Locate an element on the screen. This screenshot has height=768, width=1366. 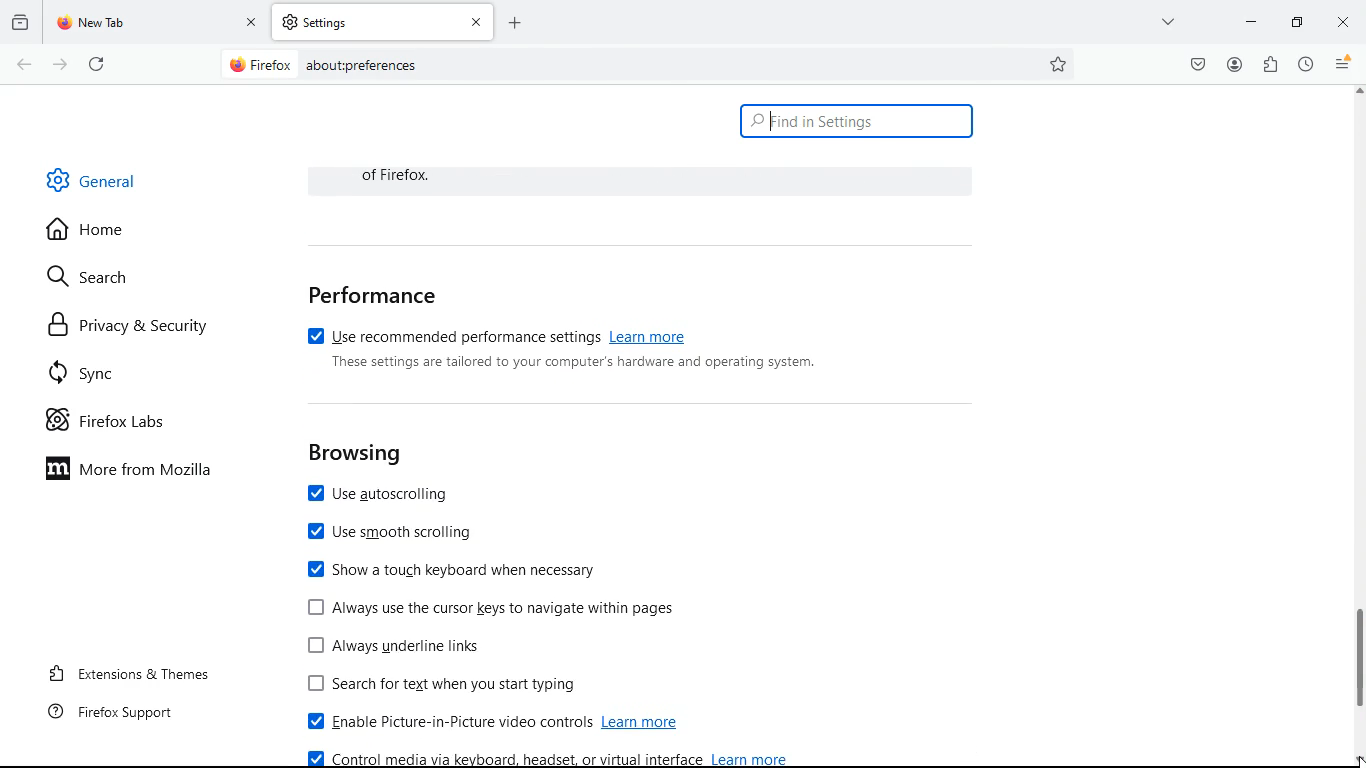
close is located at coordinates (1343, 21).